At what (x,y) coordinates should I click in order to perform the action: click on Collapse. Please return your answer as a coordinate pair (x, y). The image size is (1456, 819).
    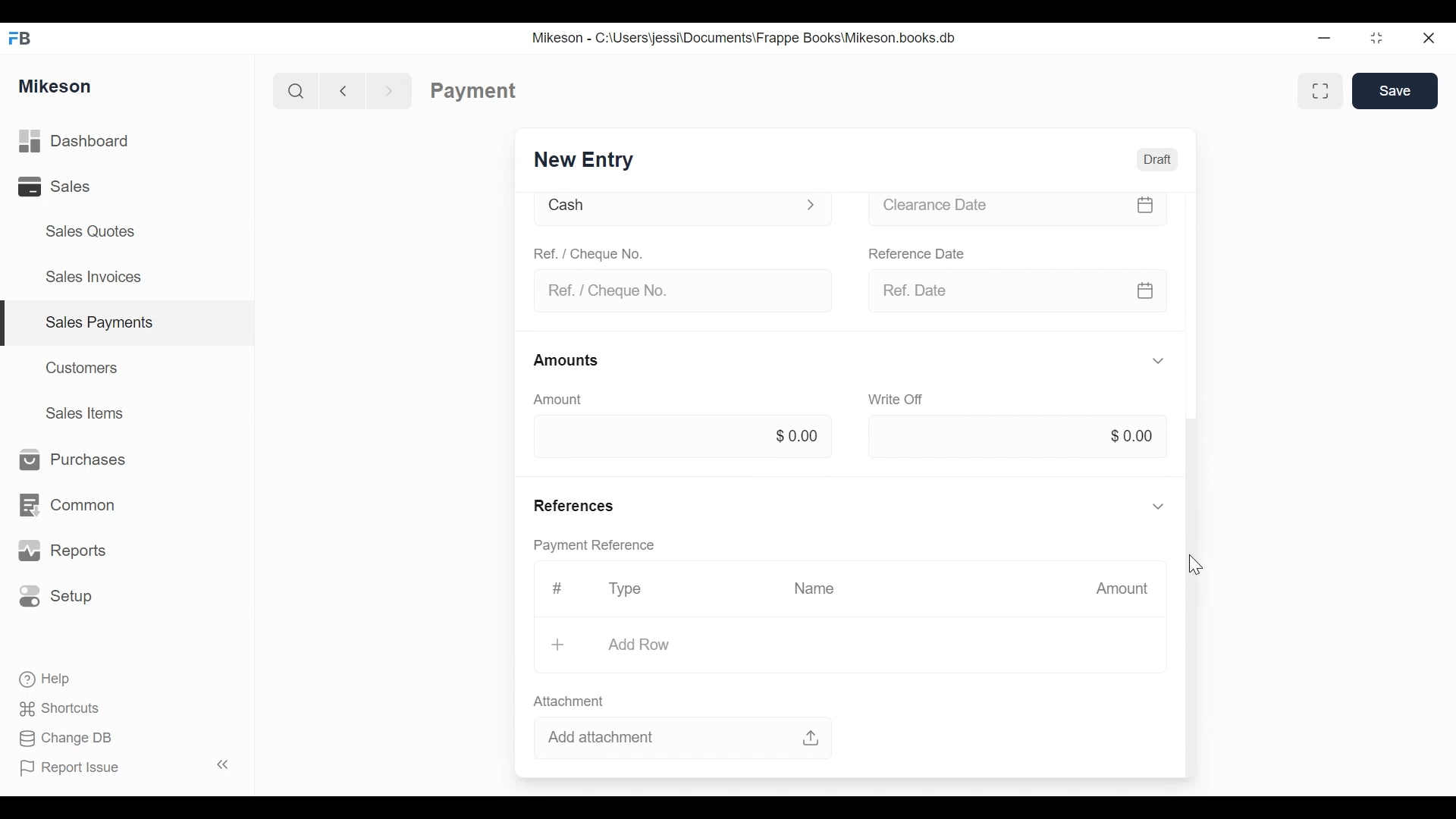
    Looking at the image, I should click on (226, 766).